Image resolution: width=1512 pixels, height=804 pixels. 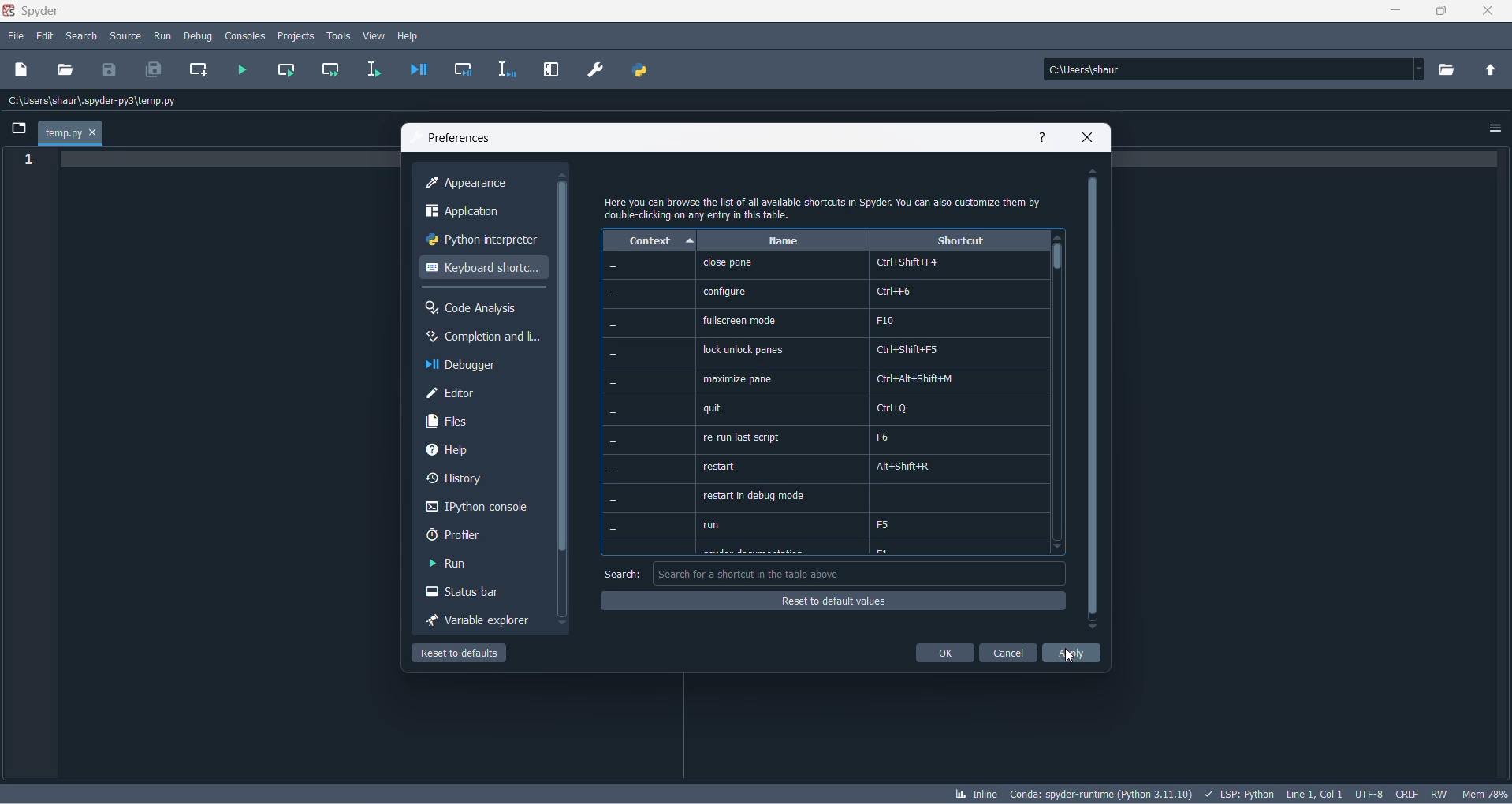 What do you see at coordinates (1315, 791) in the screenshot?
I see `line and column number` at bounding box center [1315, 791].